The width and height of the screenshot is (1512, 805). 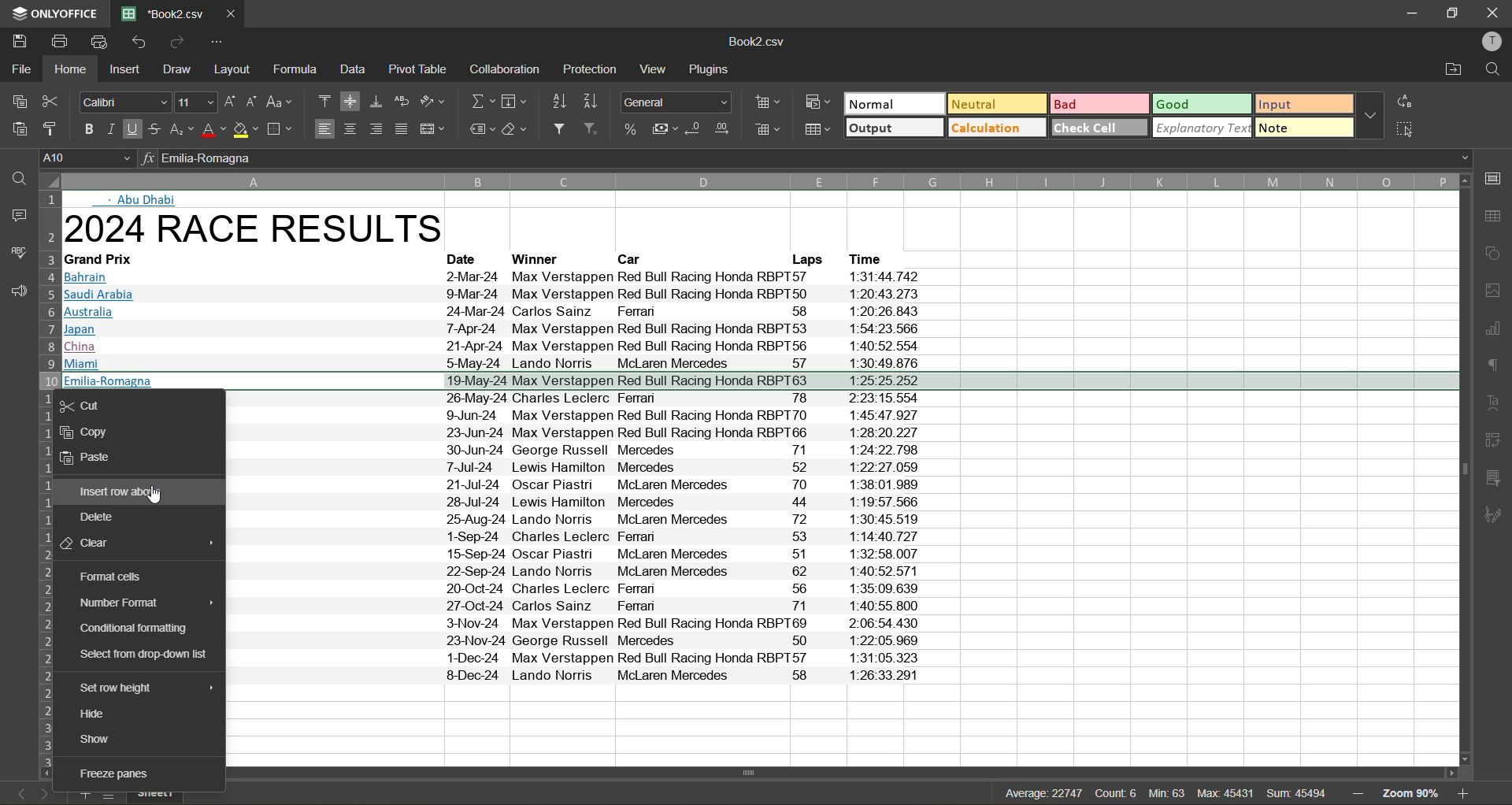 What do you see at coordinates (48, 773) in the screenshot?
I see `move left` at bounding box center [48, 773].